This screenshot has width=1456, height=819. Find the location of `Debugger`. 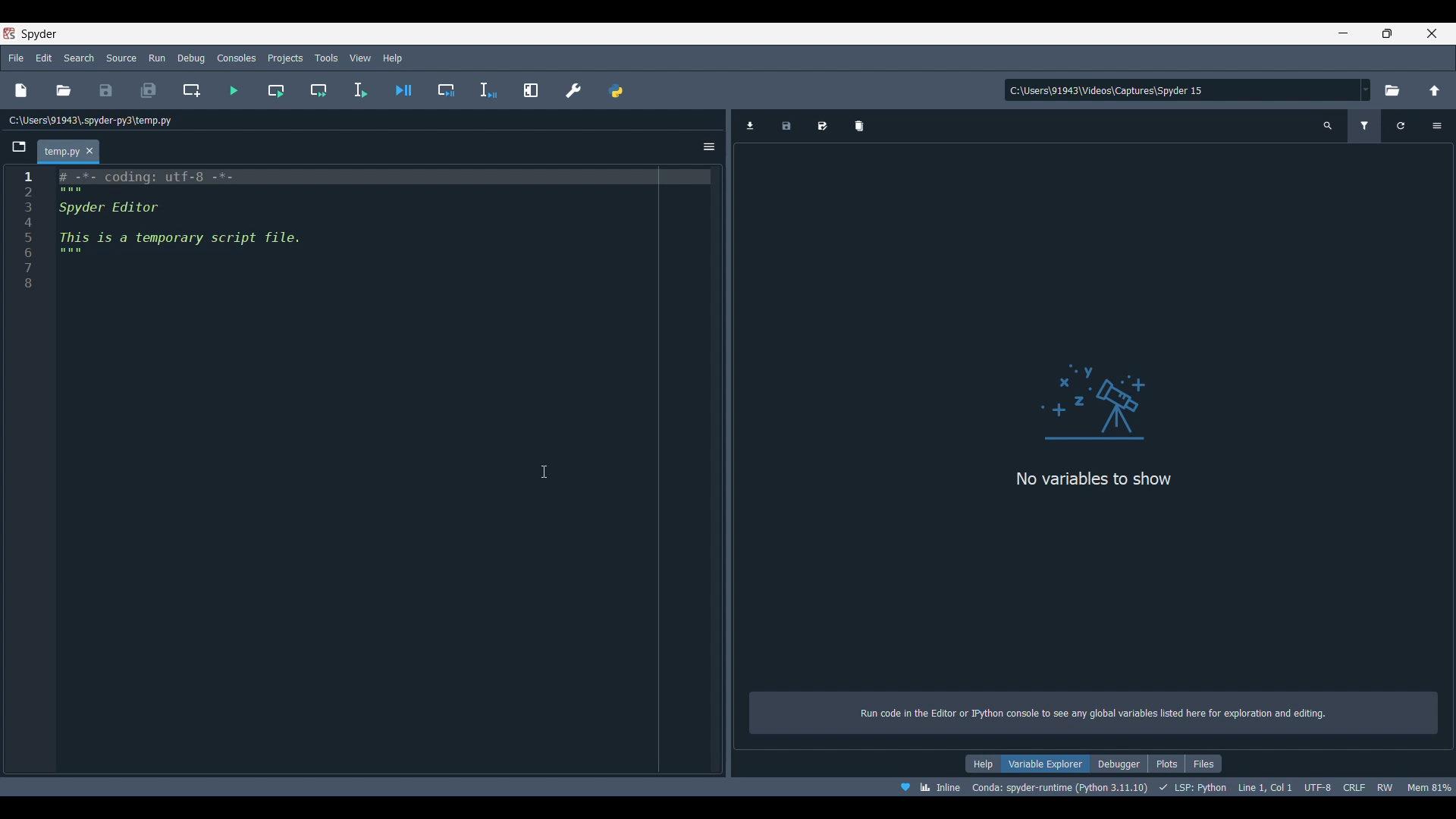

Debugger is located at coordinates (1119, 764).